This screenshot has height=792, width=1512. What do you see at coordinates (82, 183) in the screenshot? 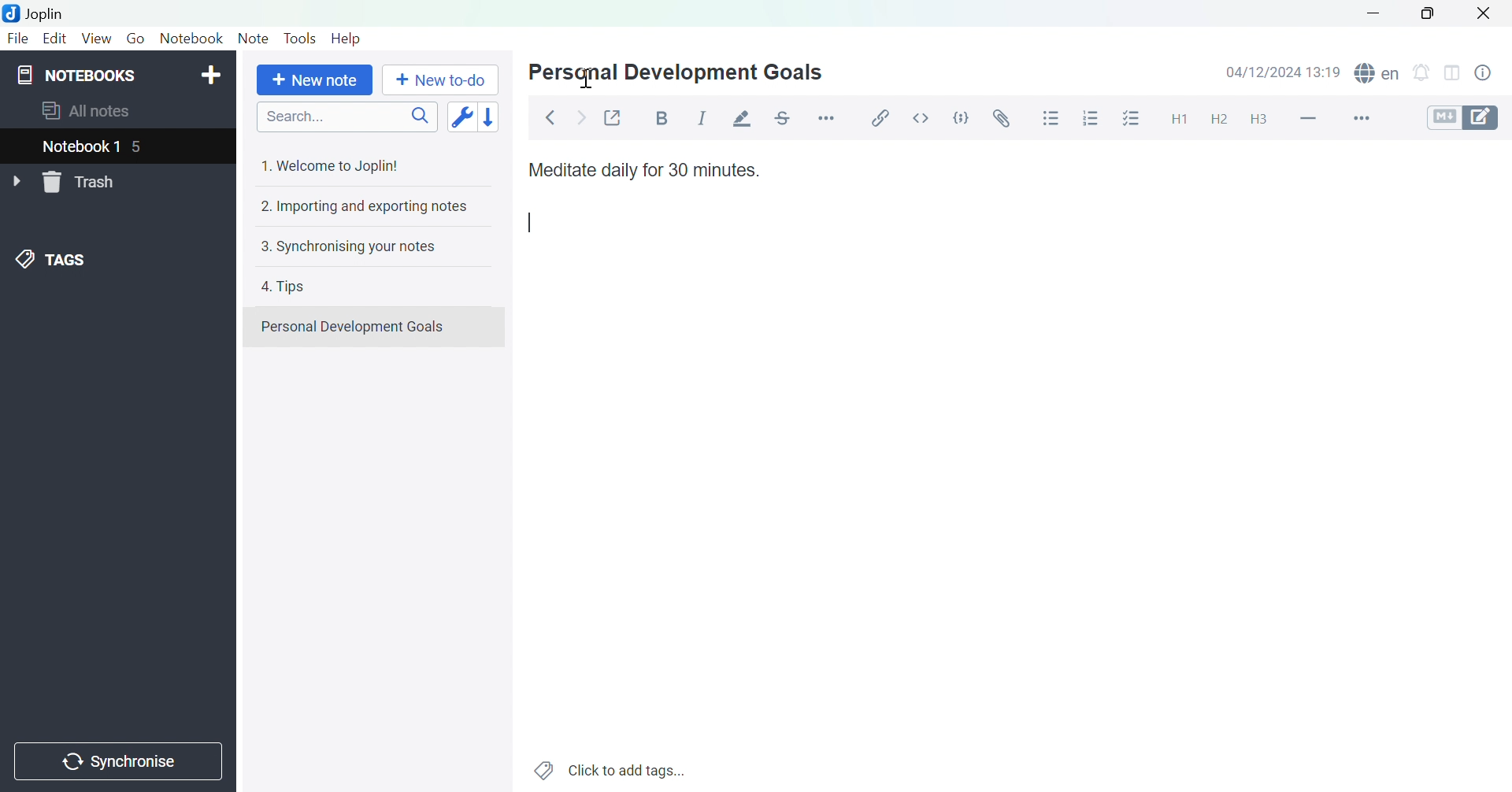
I see `Trash` at bounding box center [82, 183].